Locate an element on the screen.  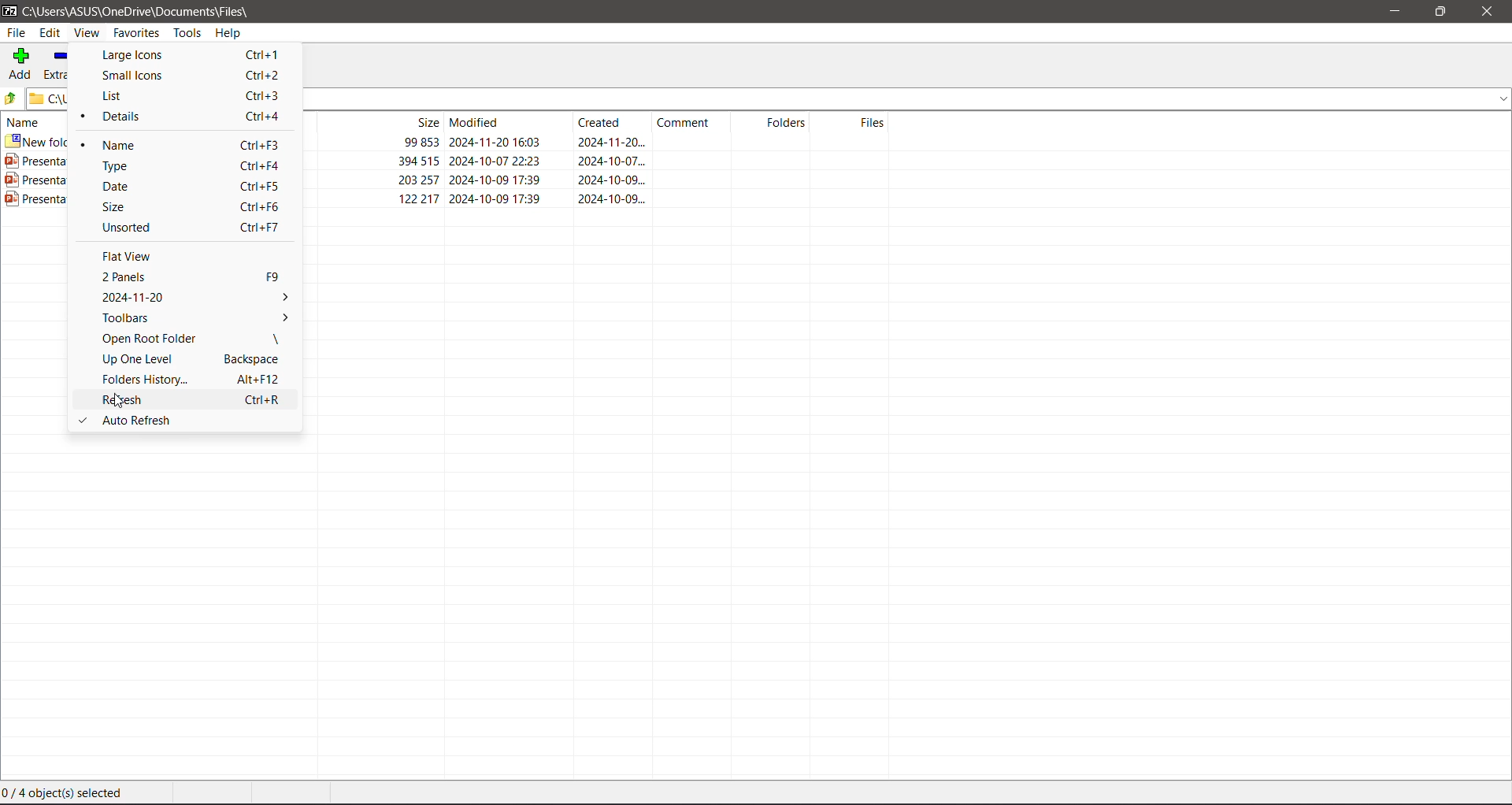
Details is located at coordinates (131, 118).